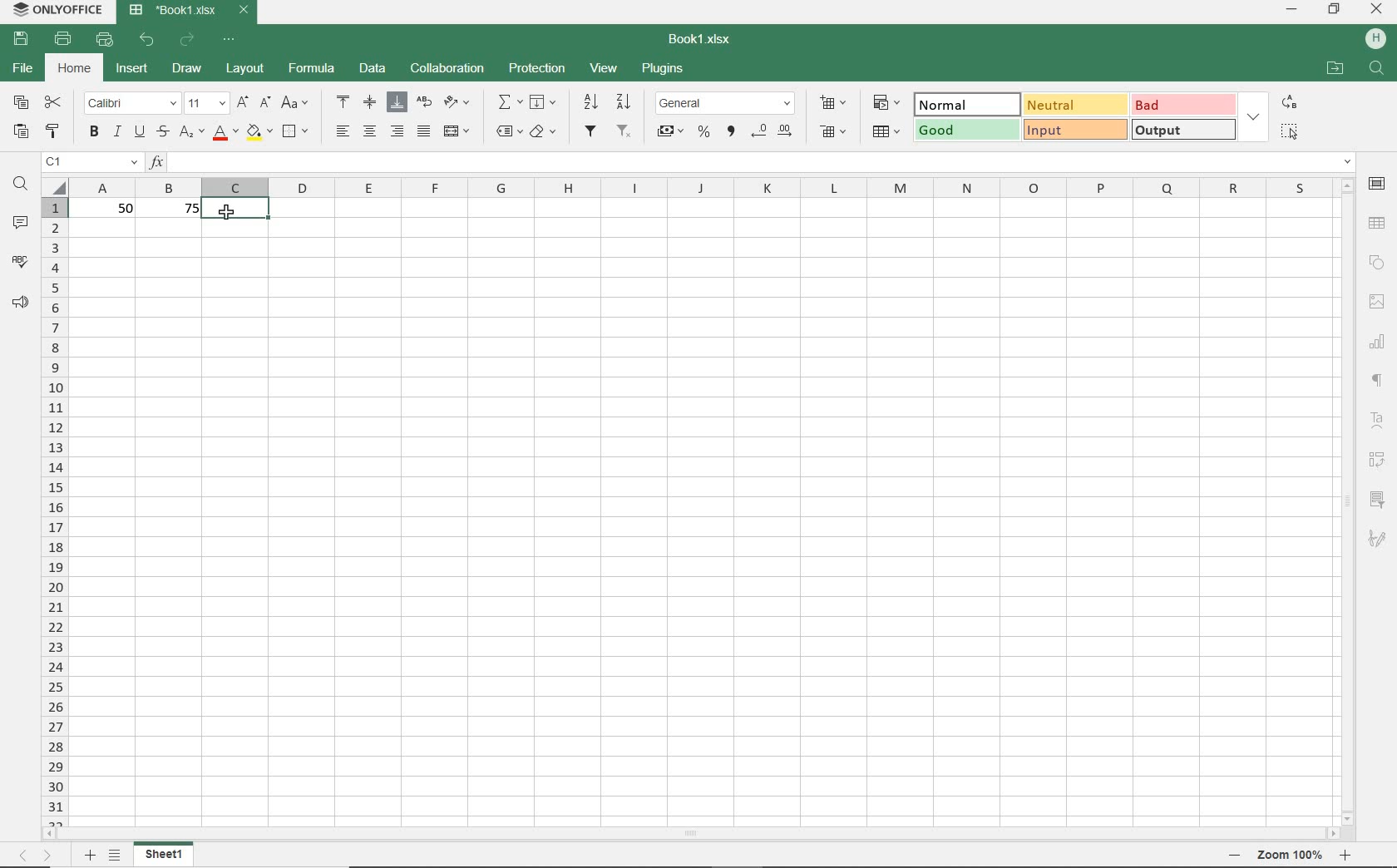  Describe the element at coordinates (774, 131) in the screenshot. I see `decrease/increase decimal` at that location.